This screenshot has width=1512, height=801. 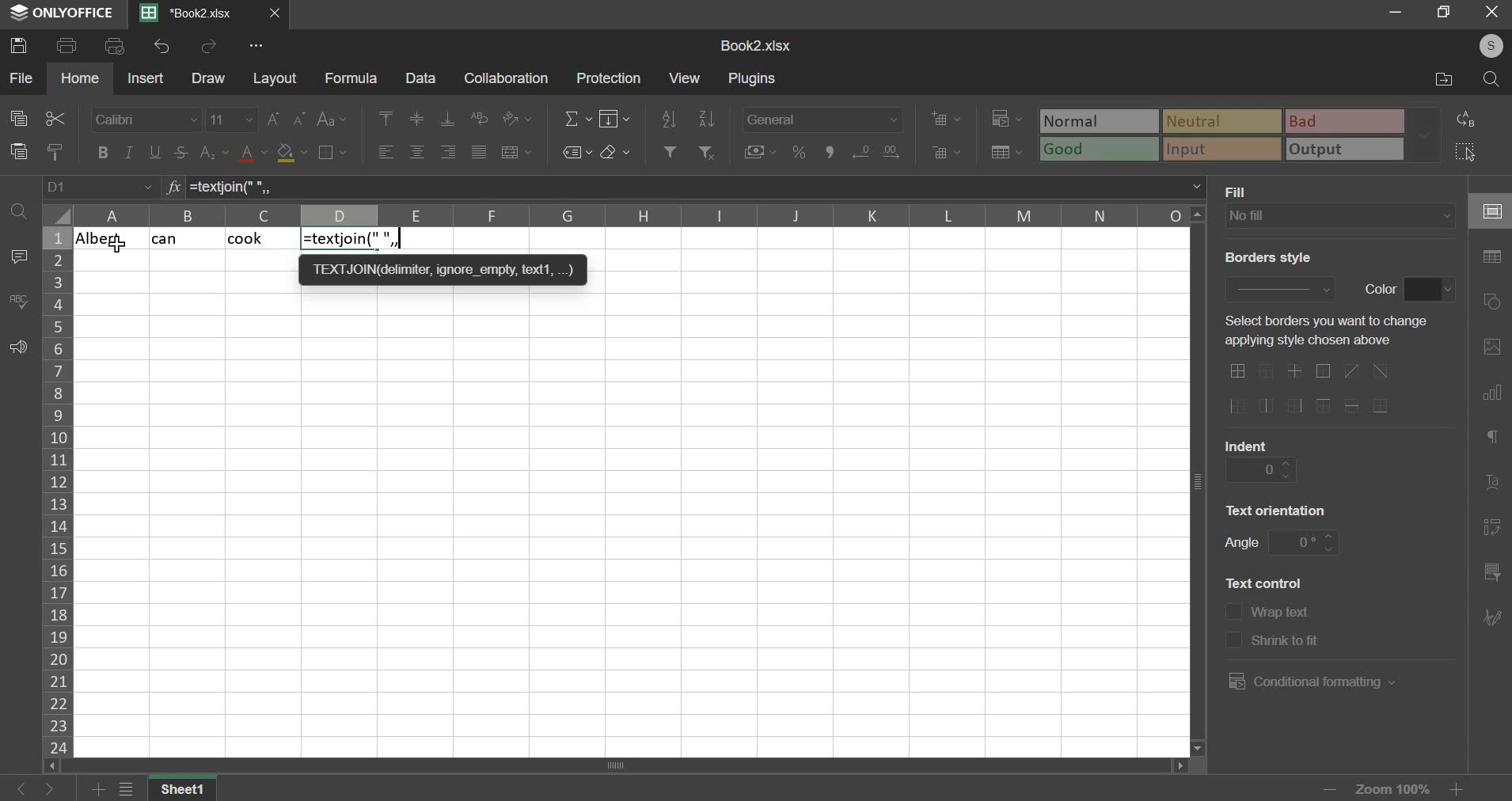 I want to click on print, so click(x=67, y=46).